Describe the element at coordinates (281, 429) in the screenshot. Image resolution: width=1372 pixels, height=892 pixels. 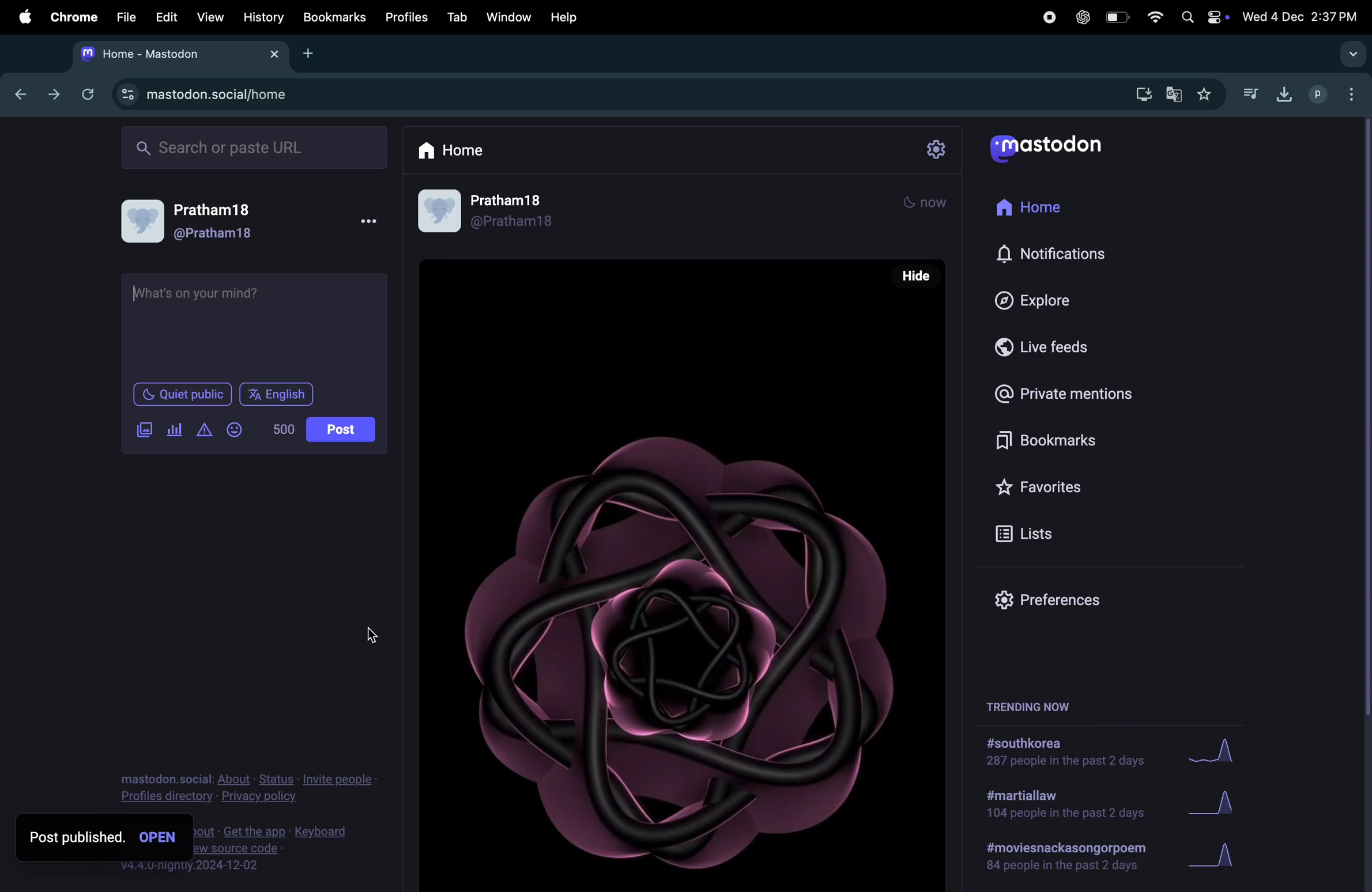
I see `500 words` at that location.